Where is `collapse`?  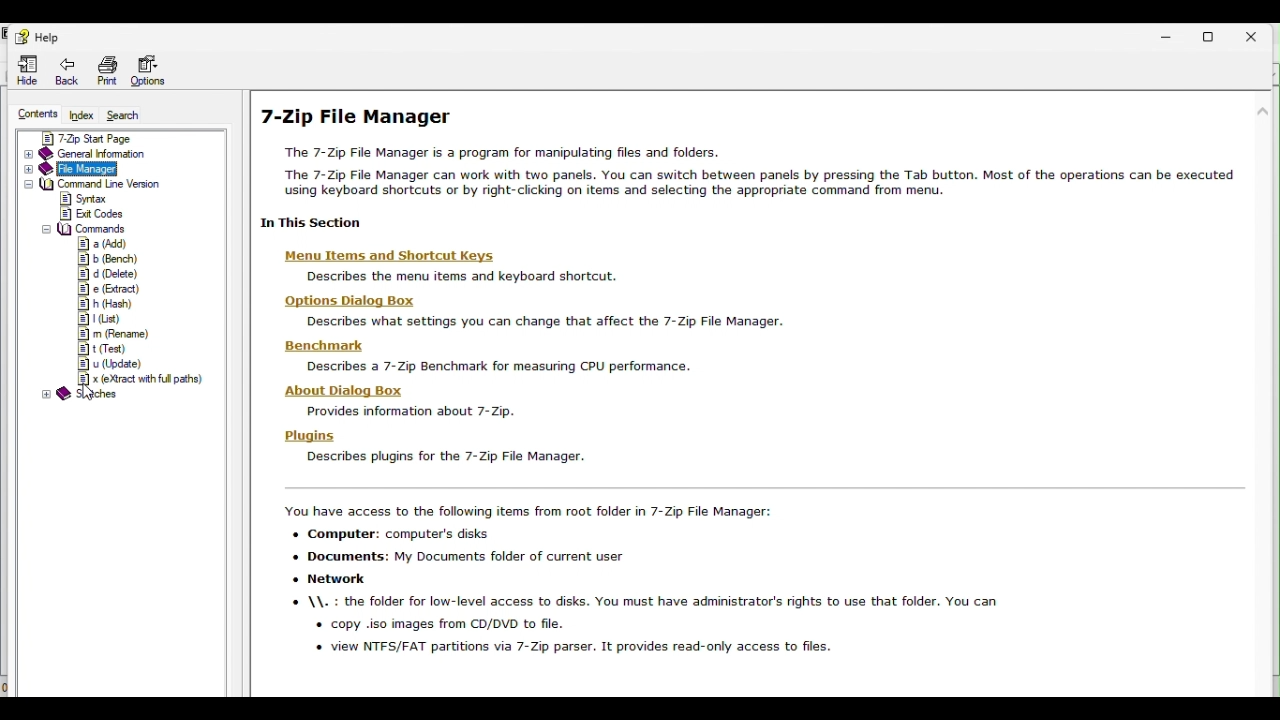
collapse is located at coordinates (45, 229).